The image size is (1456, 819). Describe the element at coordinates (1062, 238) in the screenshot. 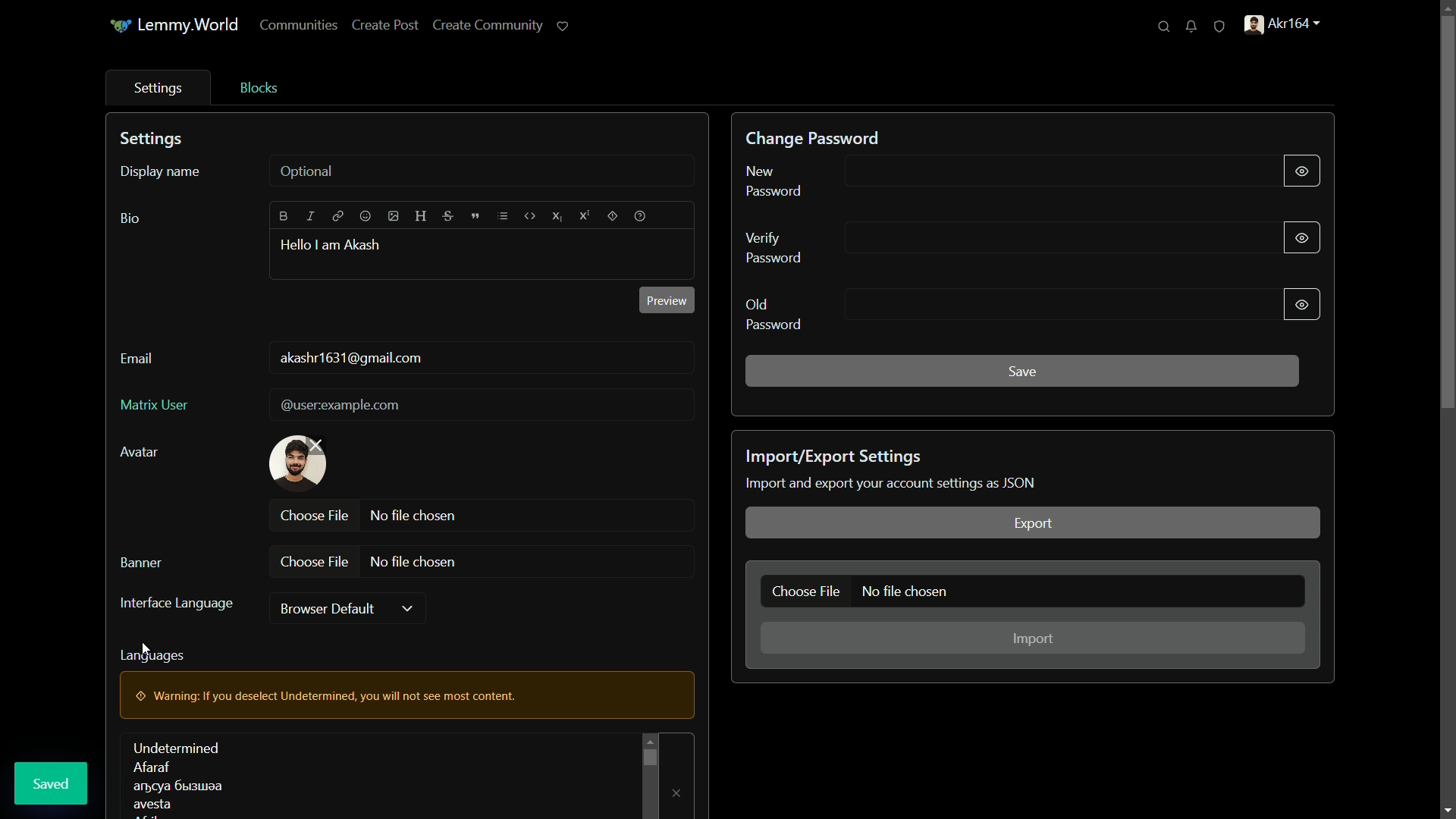

I see `verify password input line` at that location.